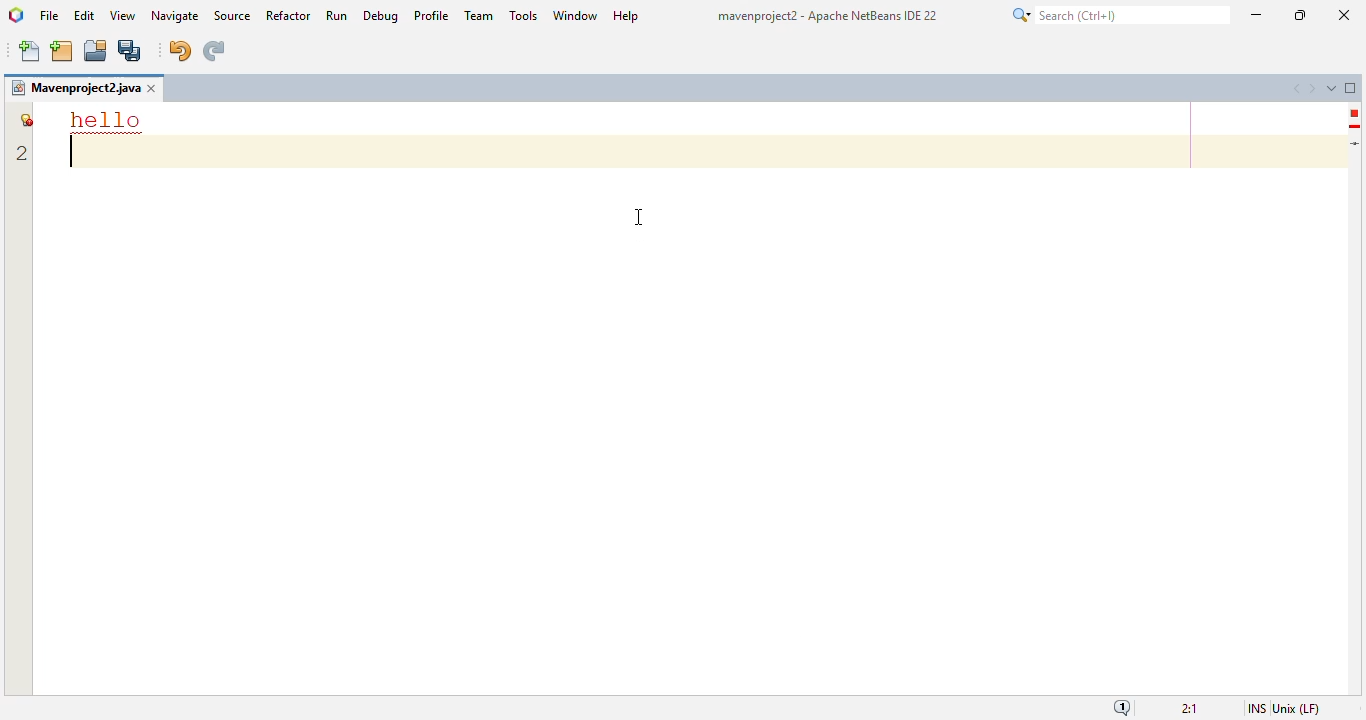 This screenshot has height=720, width=1366. I want to click on close window, so click(154, 88).